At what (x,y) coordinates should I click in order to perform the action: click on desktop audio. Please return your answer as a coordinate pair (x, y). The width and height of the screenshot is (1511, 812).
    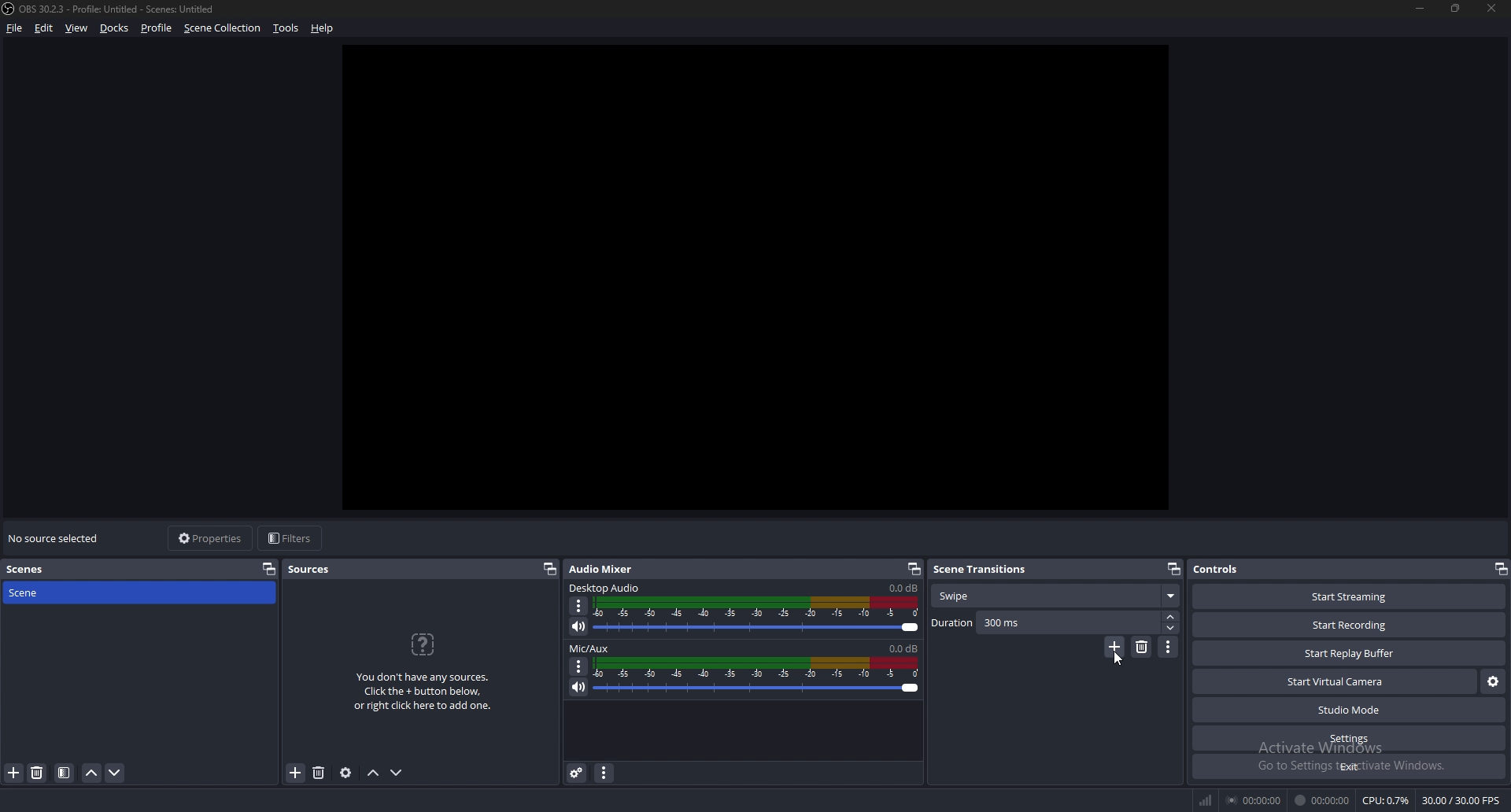
    Looking at the image, I should click on (605, 587).